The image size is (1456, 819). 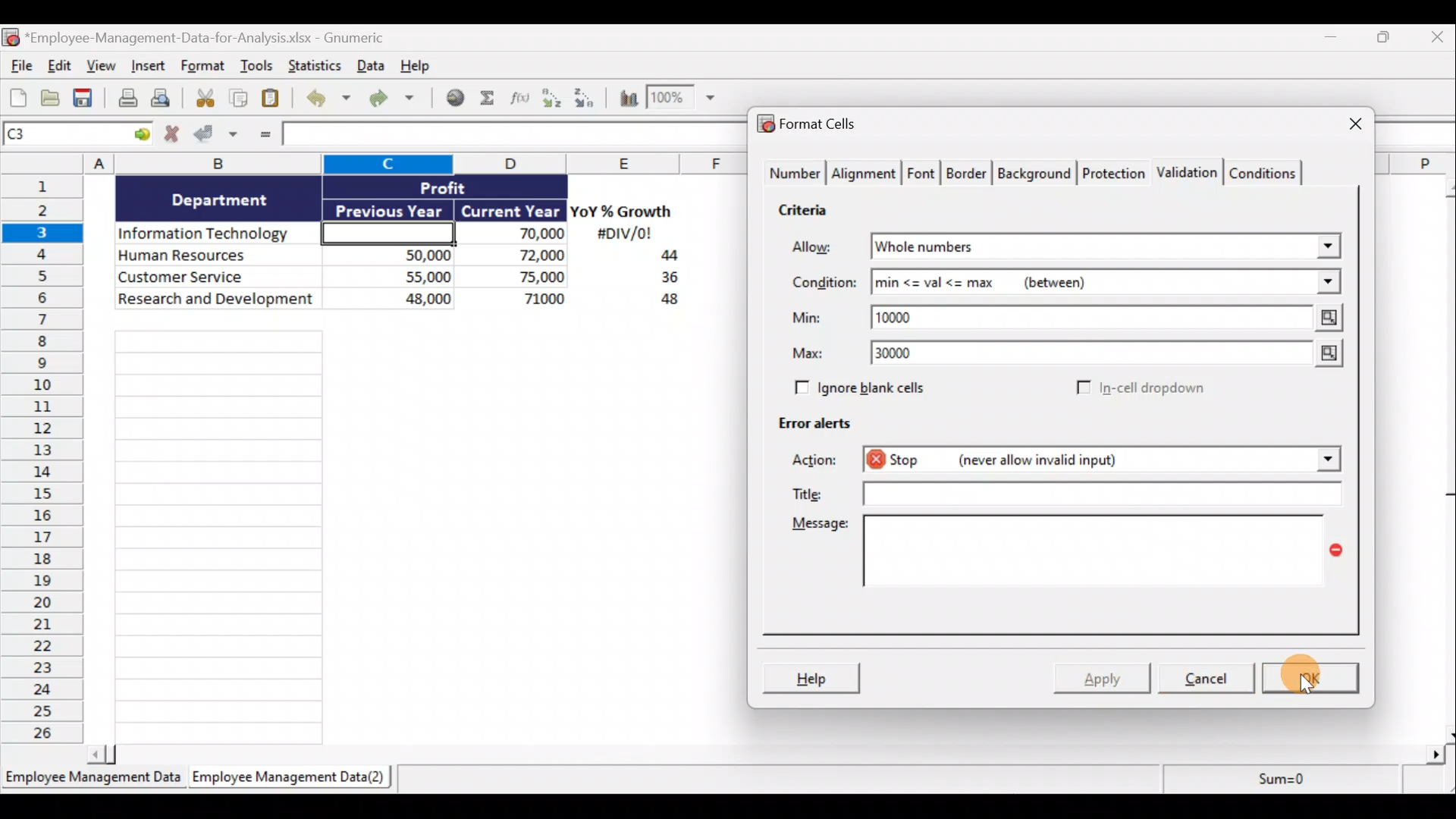 I want to click on Criteria, so click(x=805, y=212).